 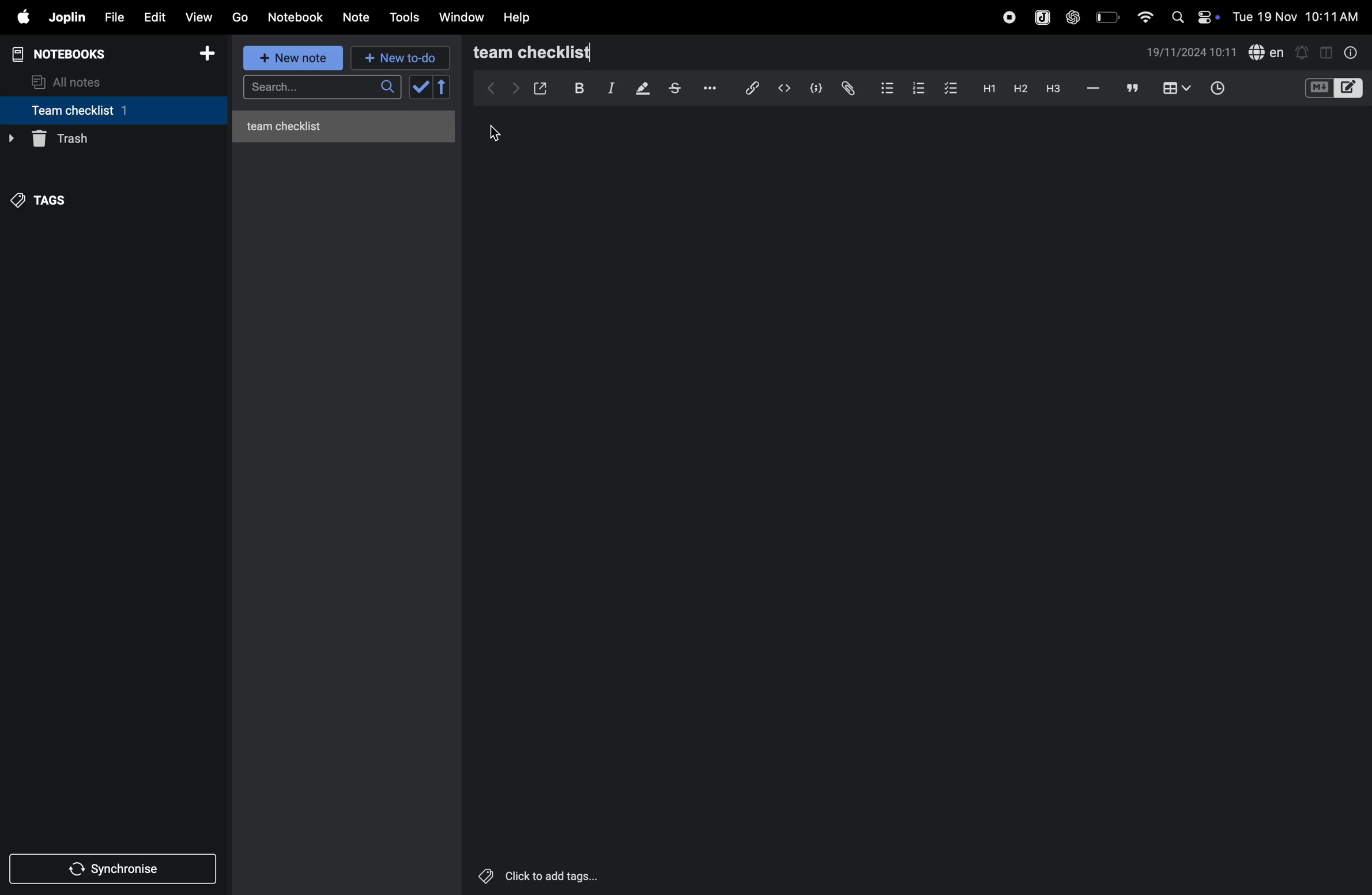 I want to click on notebooks, so click(x=66, y=52).